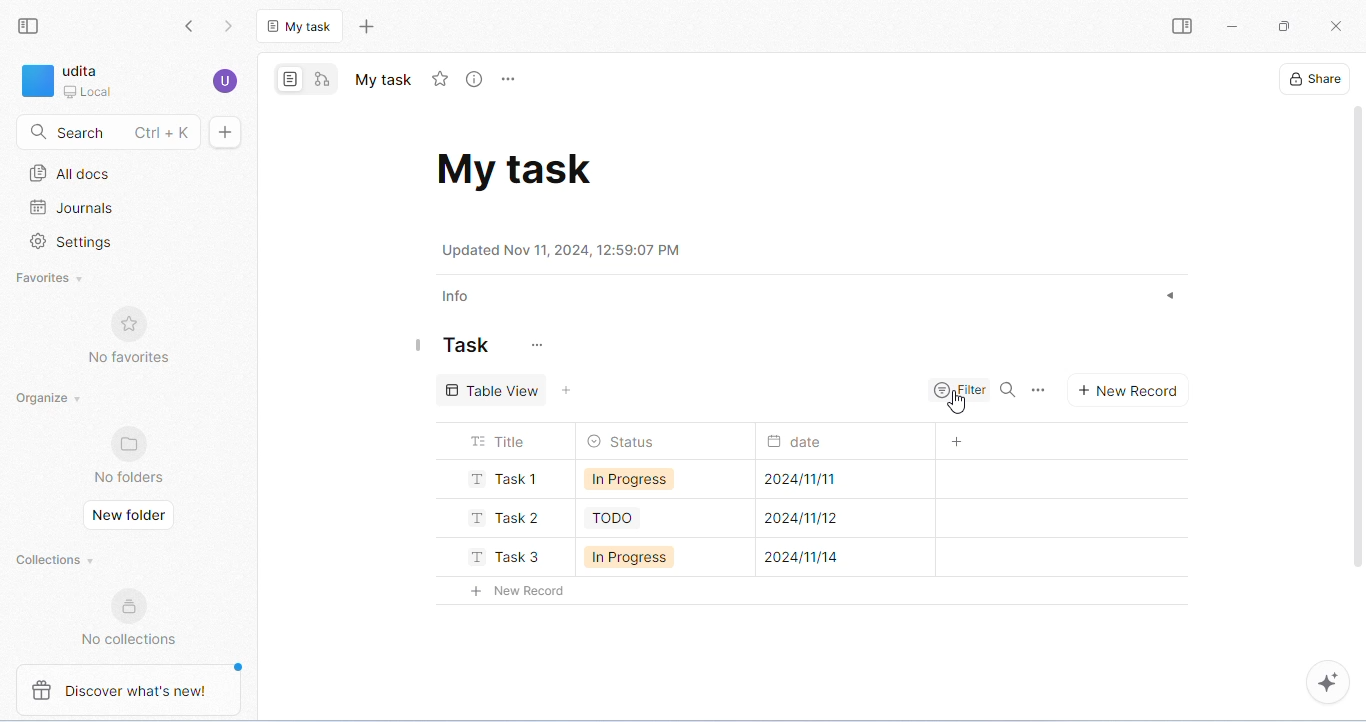  What do you see at coordinates (614, 519) in the screenshot?
I see `todo` at bounding box center [614, 519].